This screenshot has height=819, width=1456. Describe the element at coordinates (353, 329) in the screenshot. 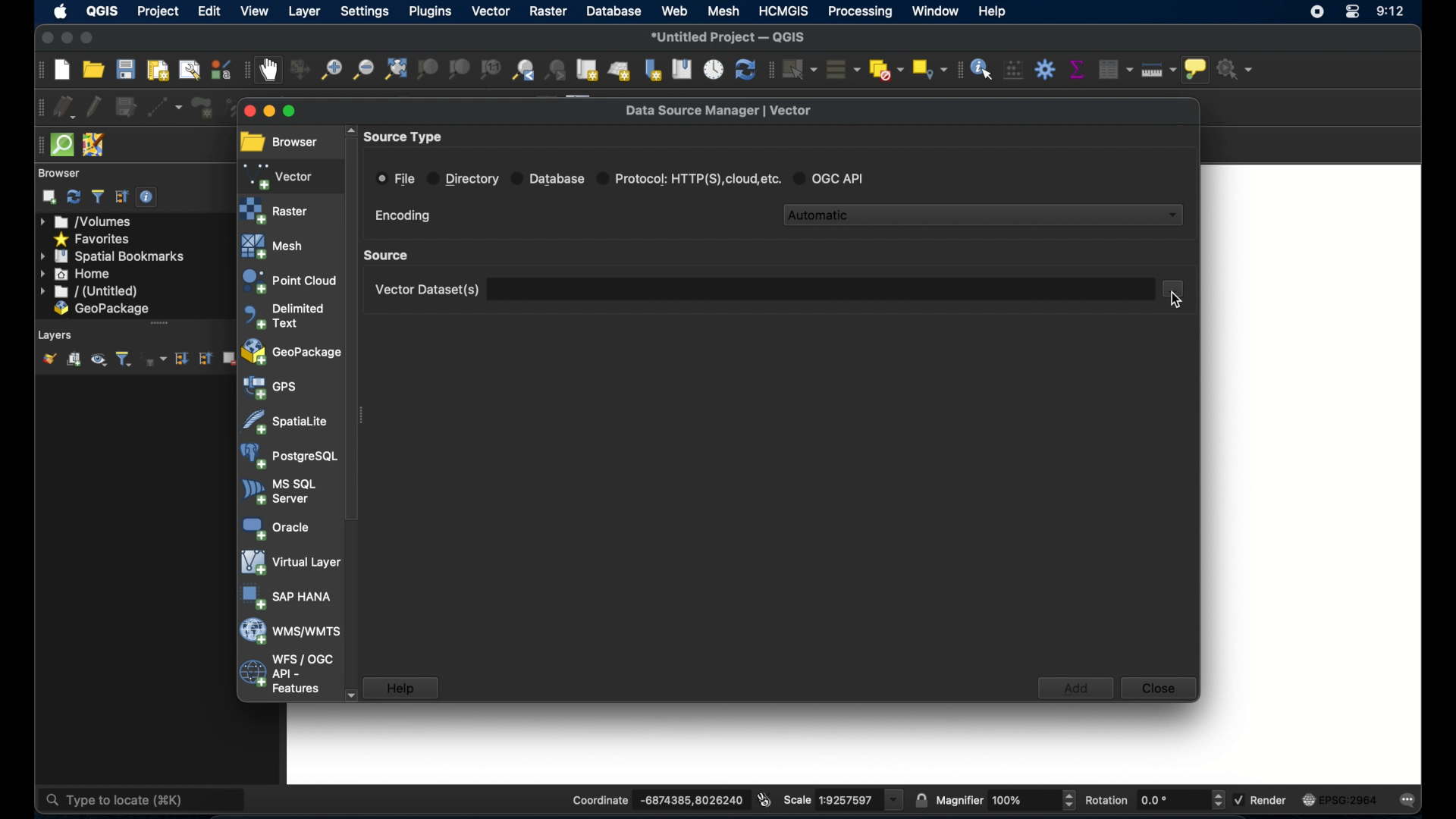

I see `scroll box` at that location.